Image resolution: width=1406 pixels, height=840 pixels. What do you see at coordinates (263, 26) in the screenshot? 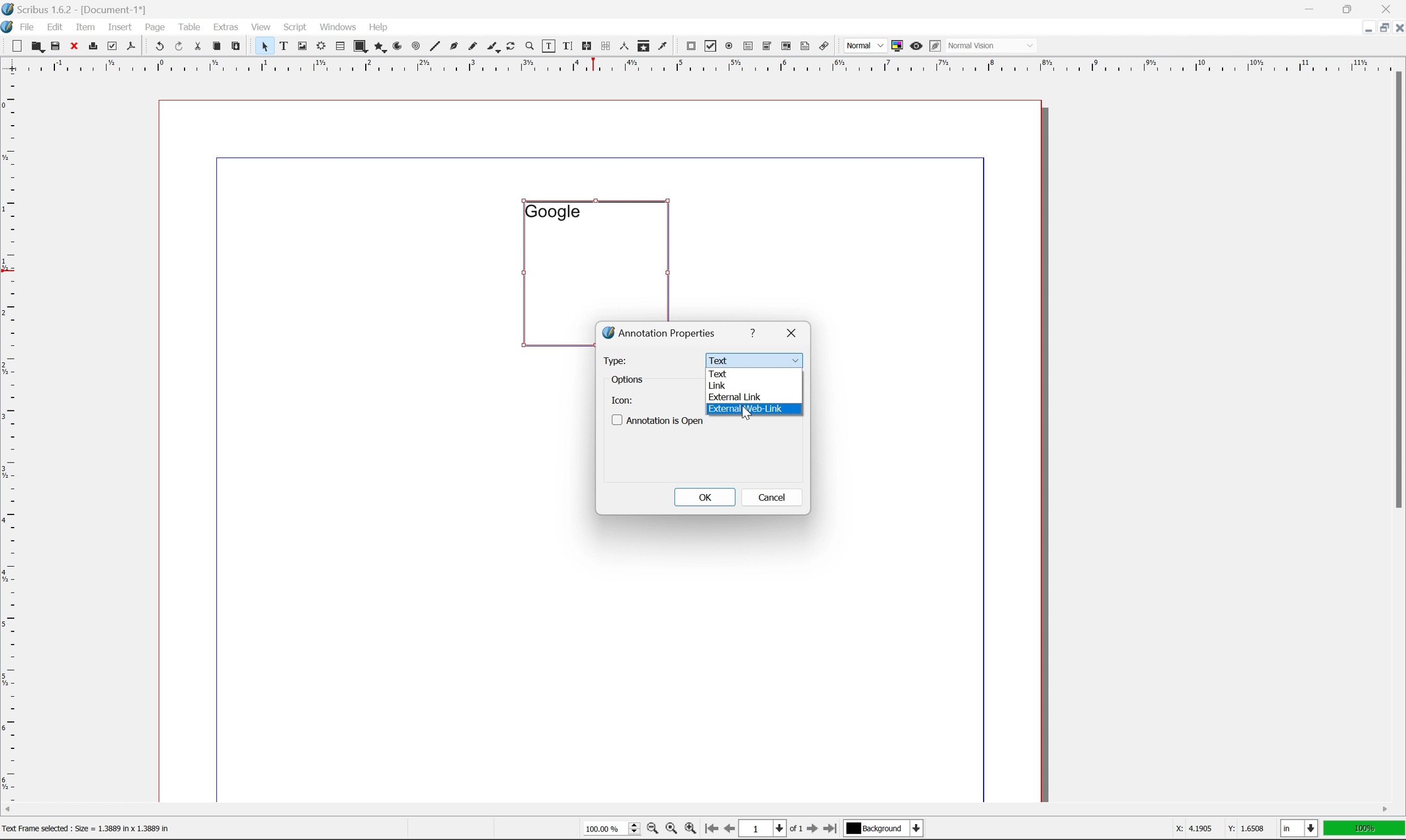
I see `view` at bounding box center [263, 26].